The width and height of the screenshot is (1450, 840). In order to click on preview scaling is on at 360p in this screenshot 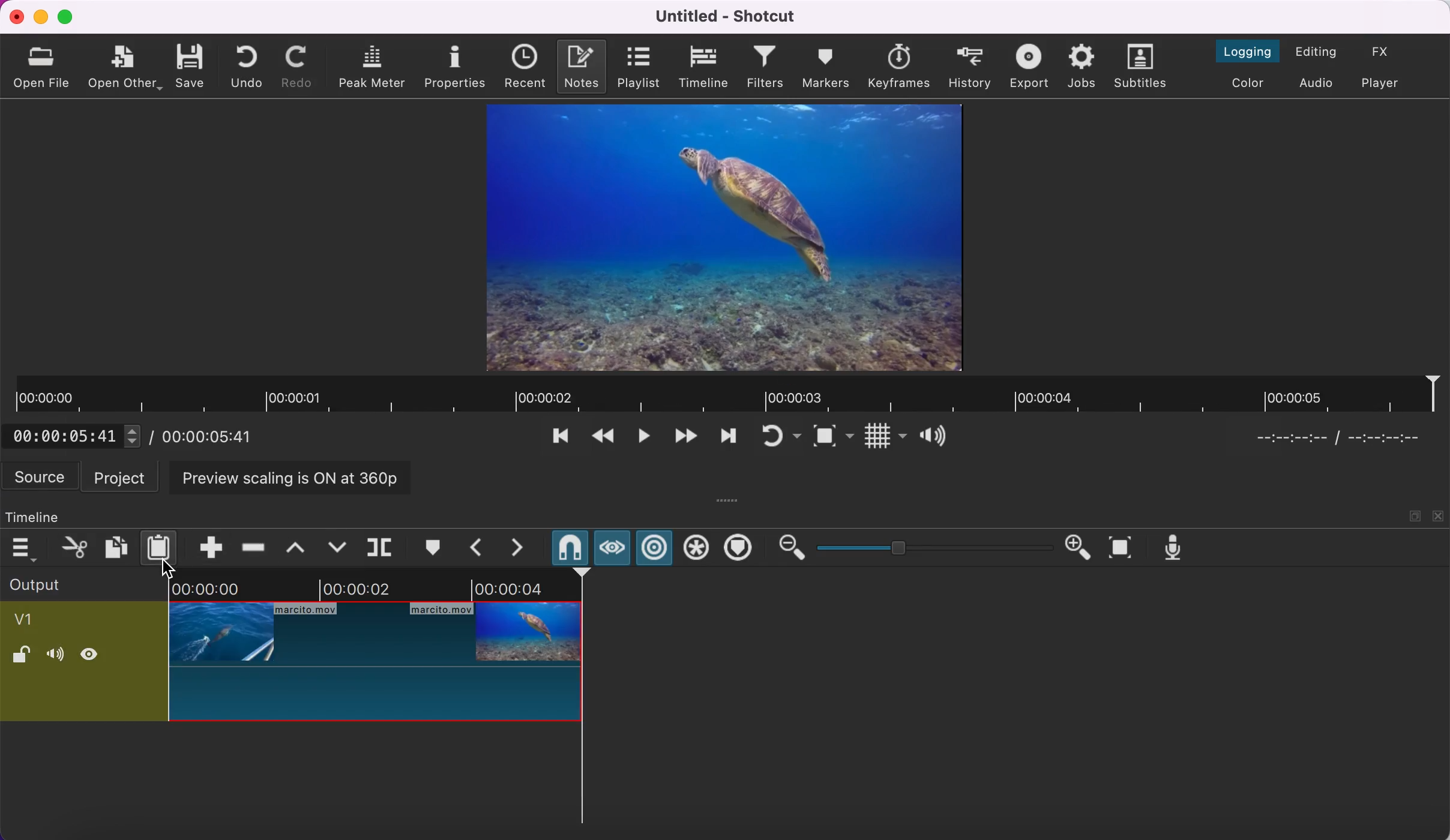, I will do `click(290, 479)`.